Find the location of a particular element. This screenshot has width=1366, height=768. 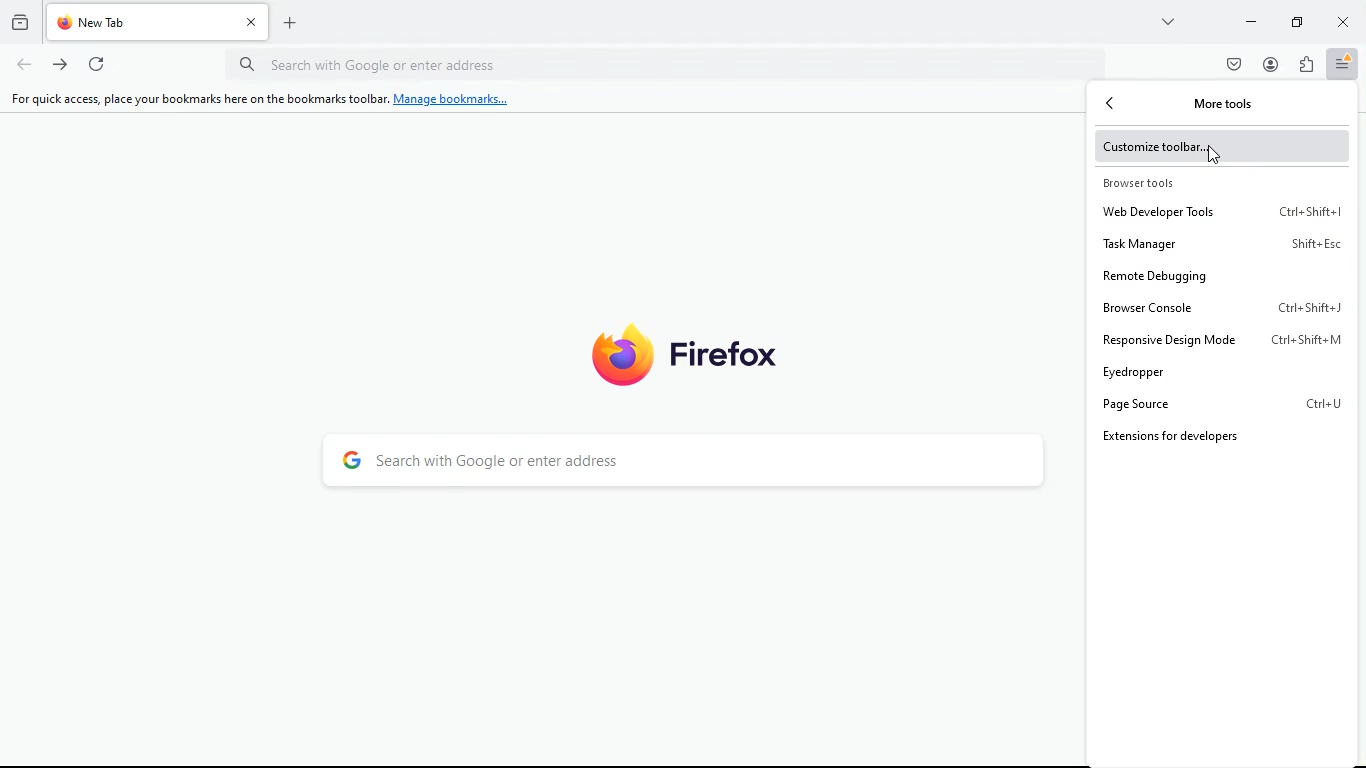

history is located at coordinates (20, 20).